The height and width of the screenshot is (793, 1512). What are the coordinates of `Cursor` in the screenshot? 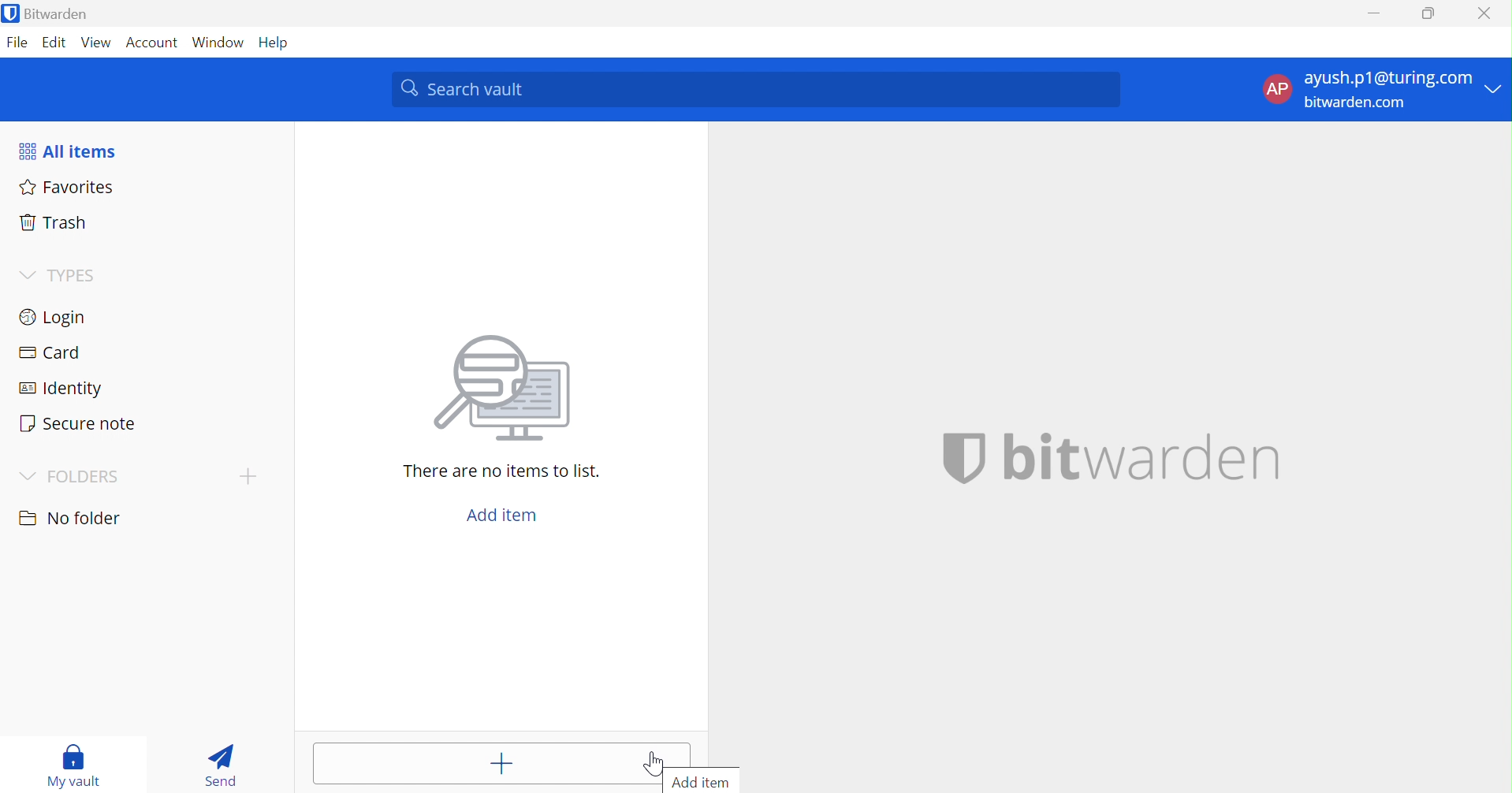 It's located at (652, 763).